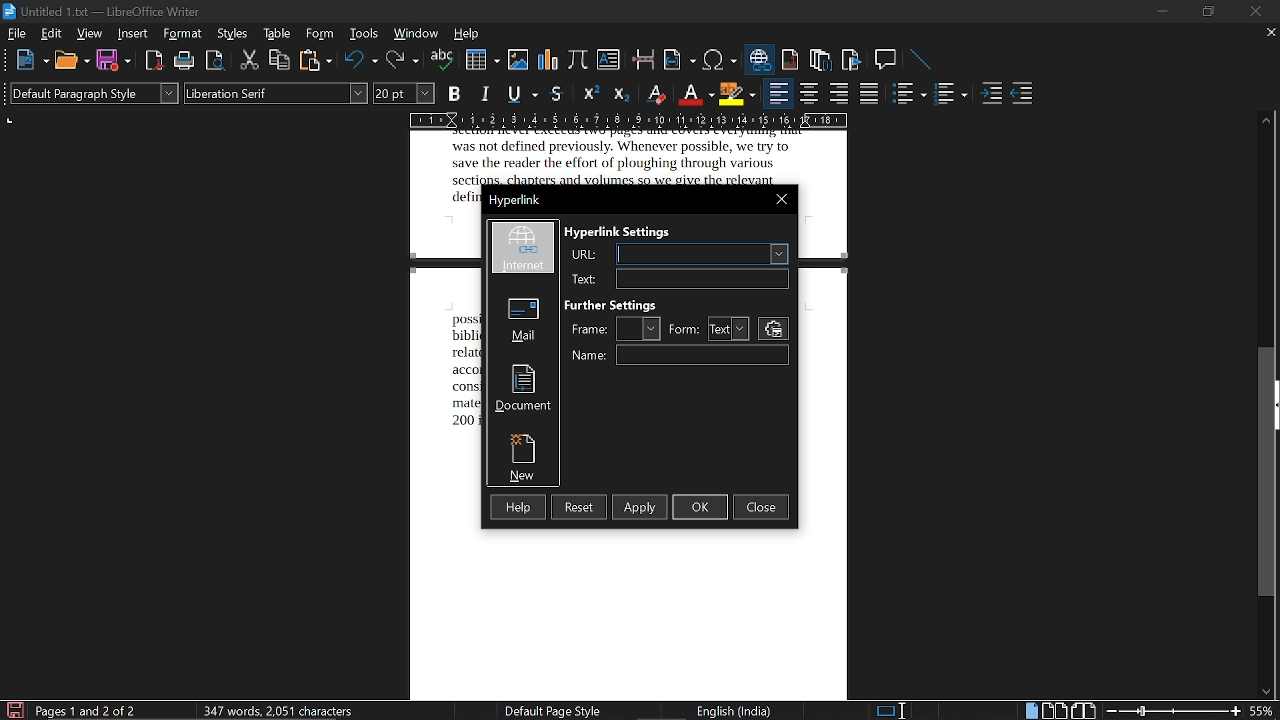 The width and height of the screenshot is (1280, 720). I want to click on insert hyperlink, so click(762, 61).